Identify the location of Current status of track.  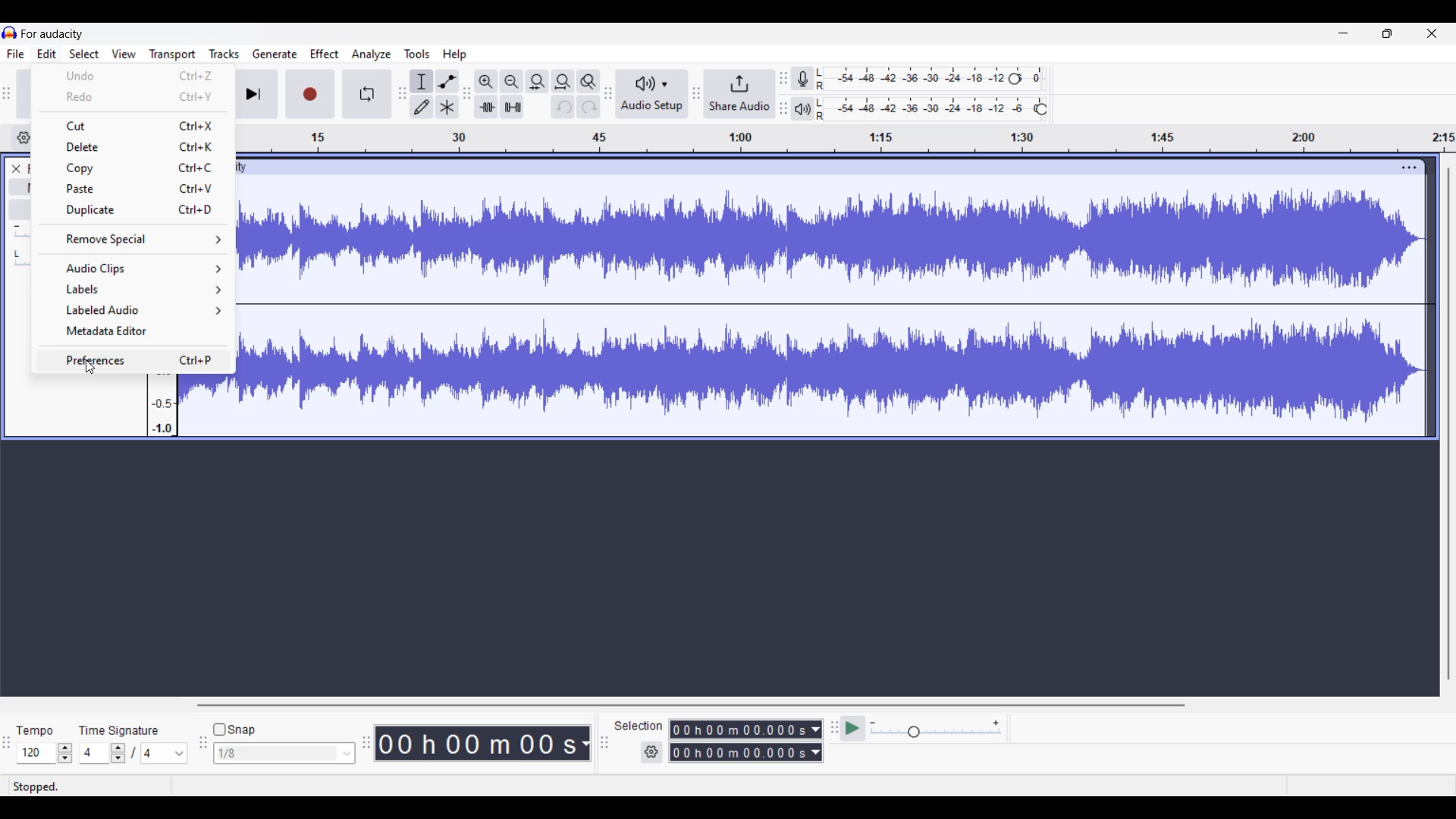
(36, 787).